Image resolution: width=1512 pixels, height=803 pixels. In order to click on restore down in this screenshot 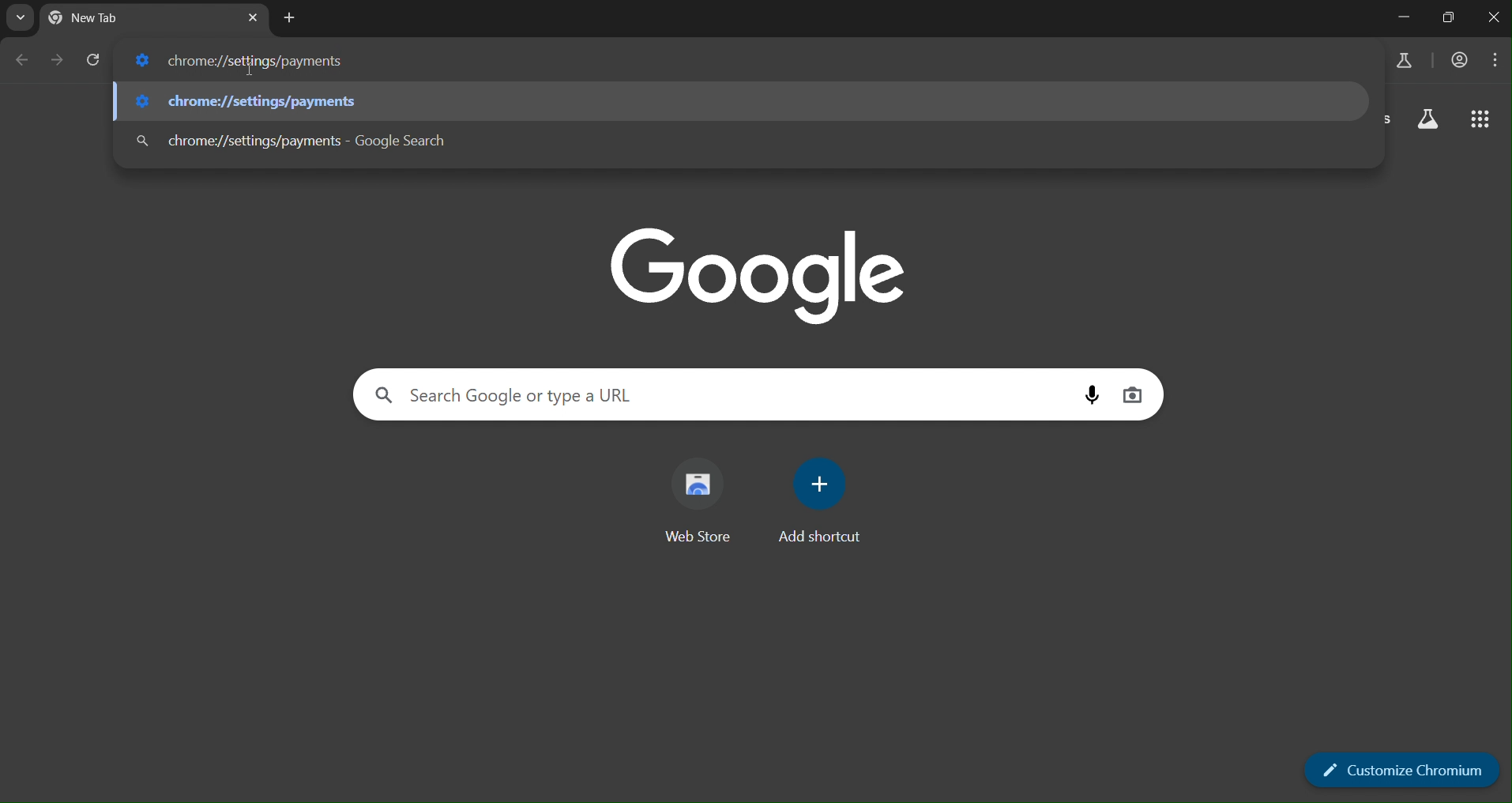, I will do `click(1450, 17)`.